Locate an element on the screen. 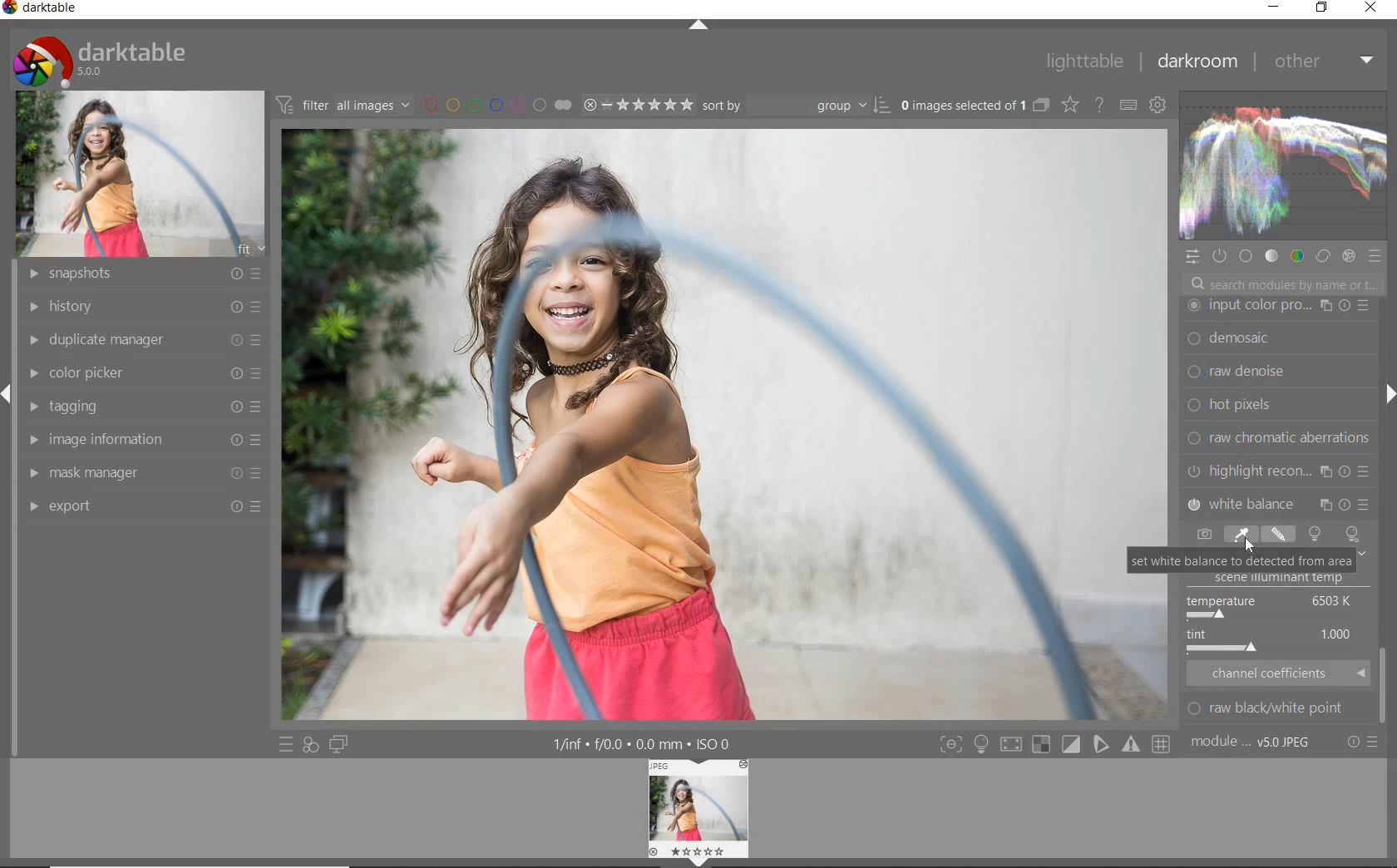 Image resolution: width=1397 pixels, height=868 pixels. correct is located at coordinates (1322, 254).